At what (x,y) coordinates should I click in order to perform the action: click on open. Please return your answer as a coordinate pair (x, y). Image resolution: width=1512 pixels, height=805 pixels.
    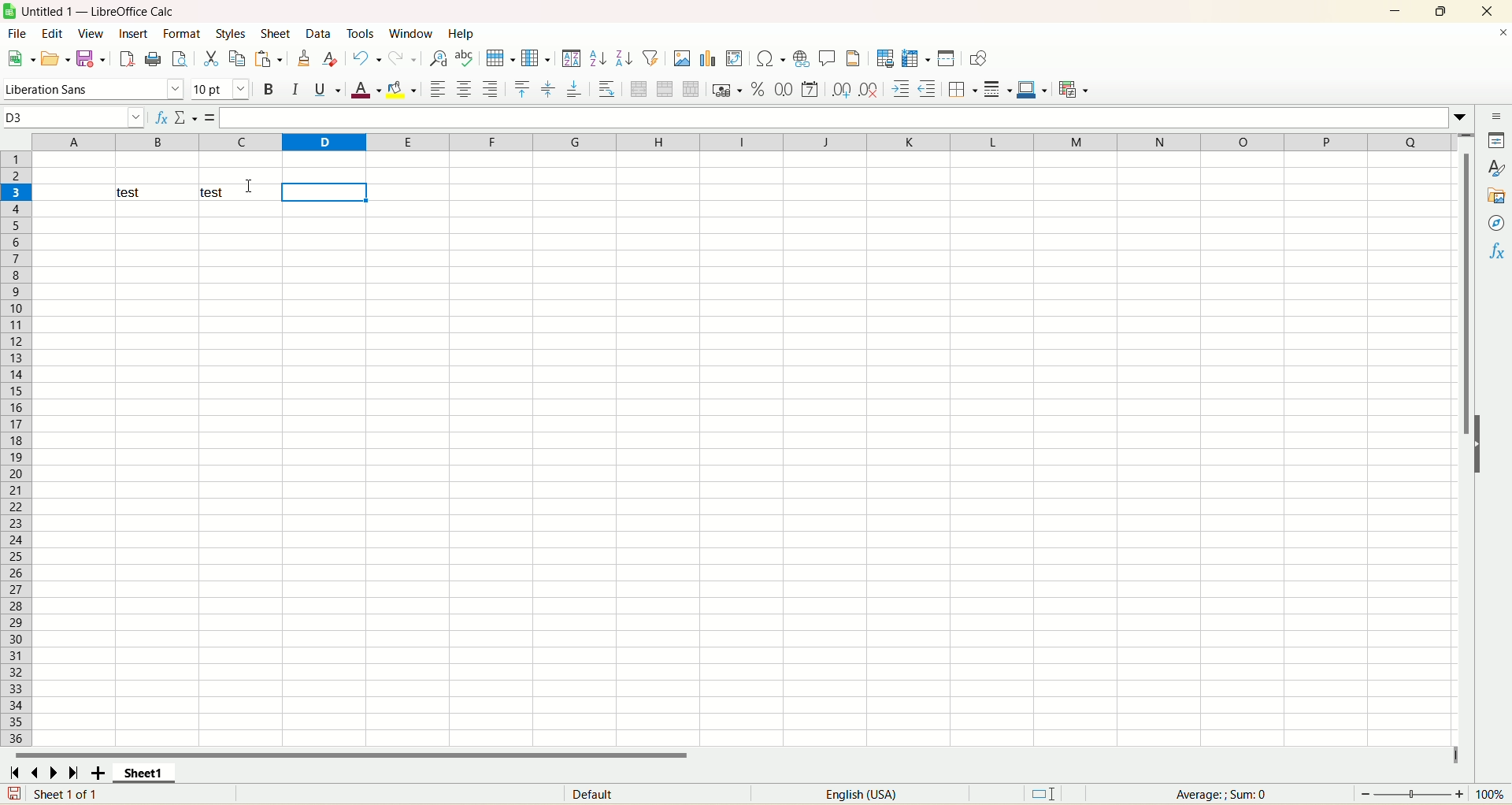
    Looking at the image, I should click on (55, 59).